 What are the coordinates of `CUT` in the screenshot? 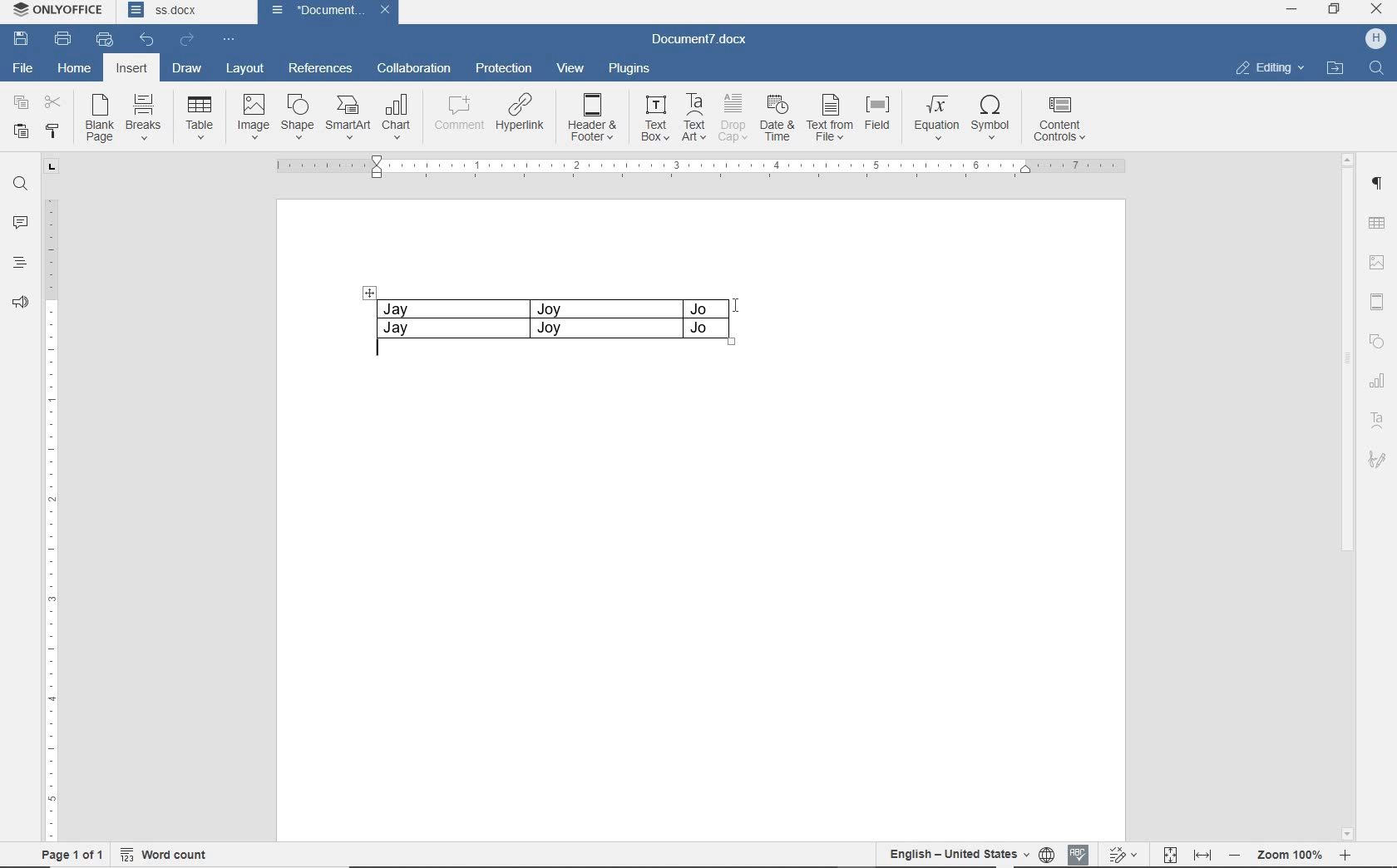 It's located at (54, 101).